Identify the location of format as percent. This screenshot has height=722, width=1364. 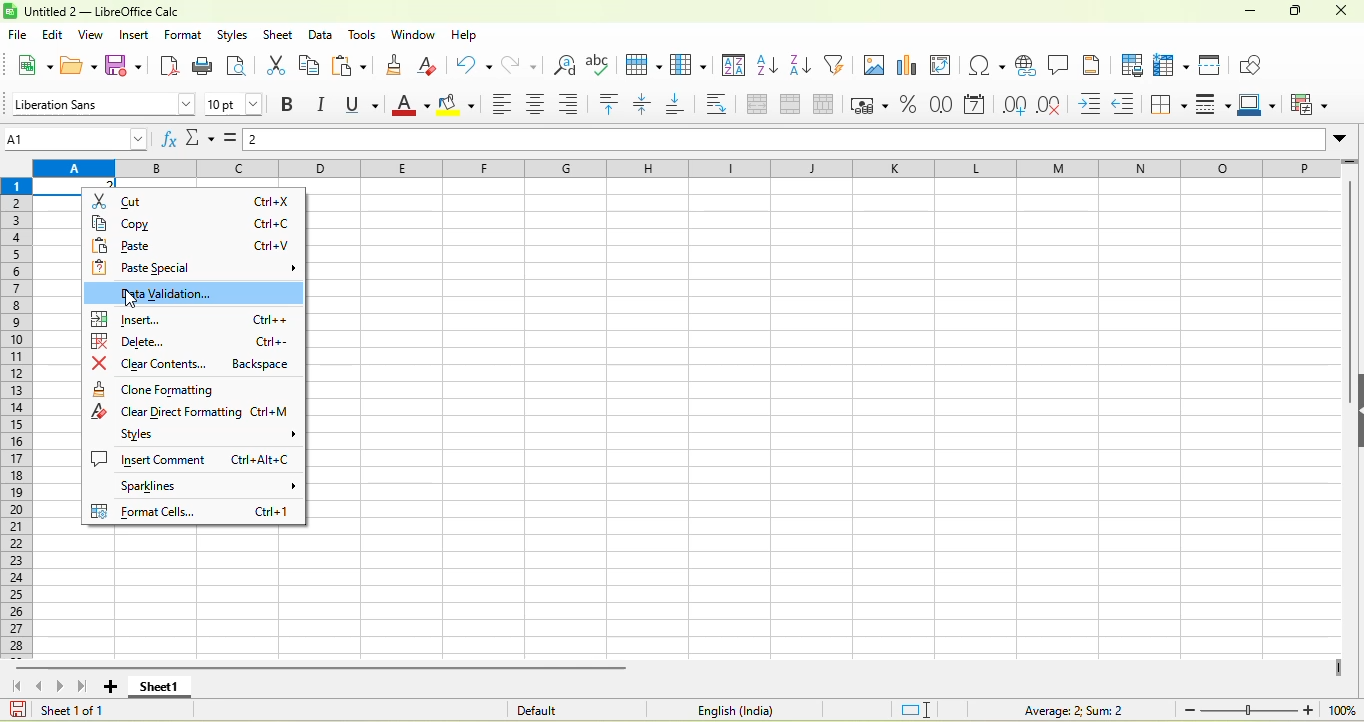
(912, 106).